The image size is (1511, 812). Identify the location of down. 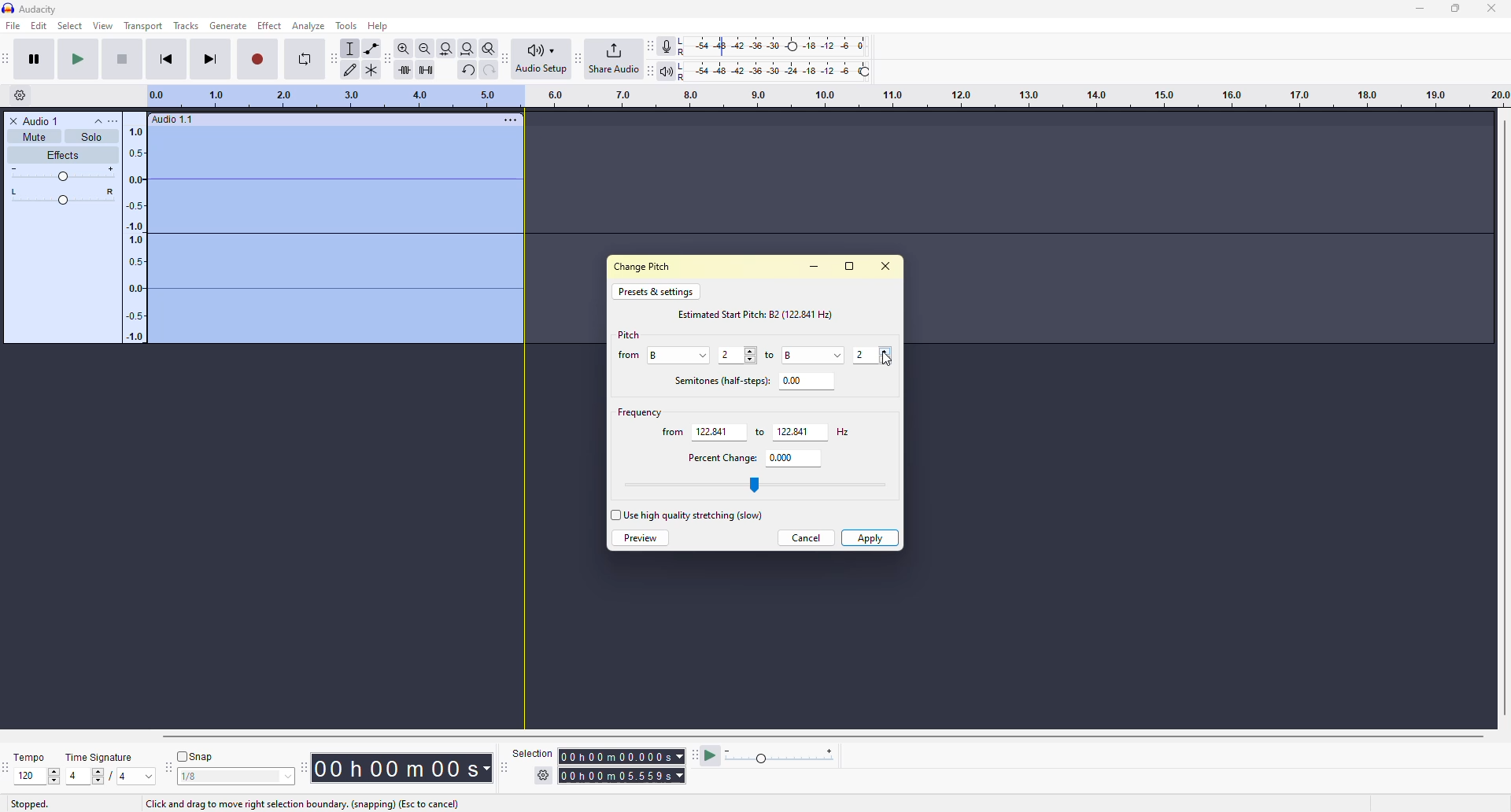
(54, 781).